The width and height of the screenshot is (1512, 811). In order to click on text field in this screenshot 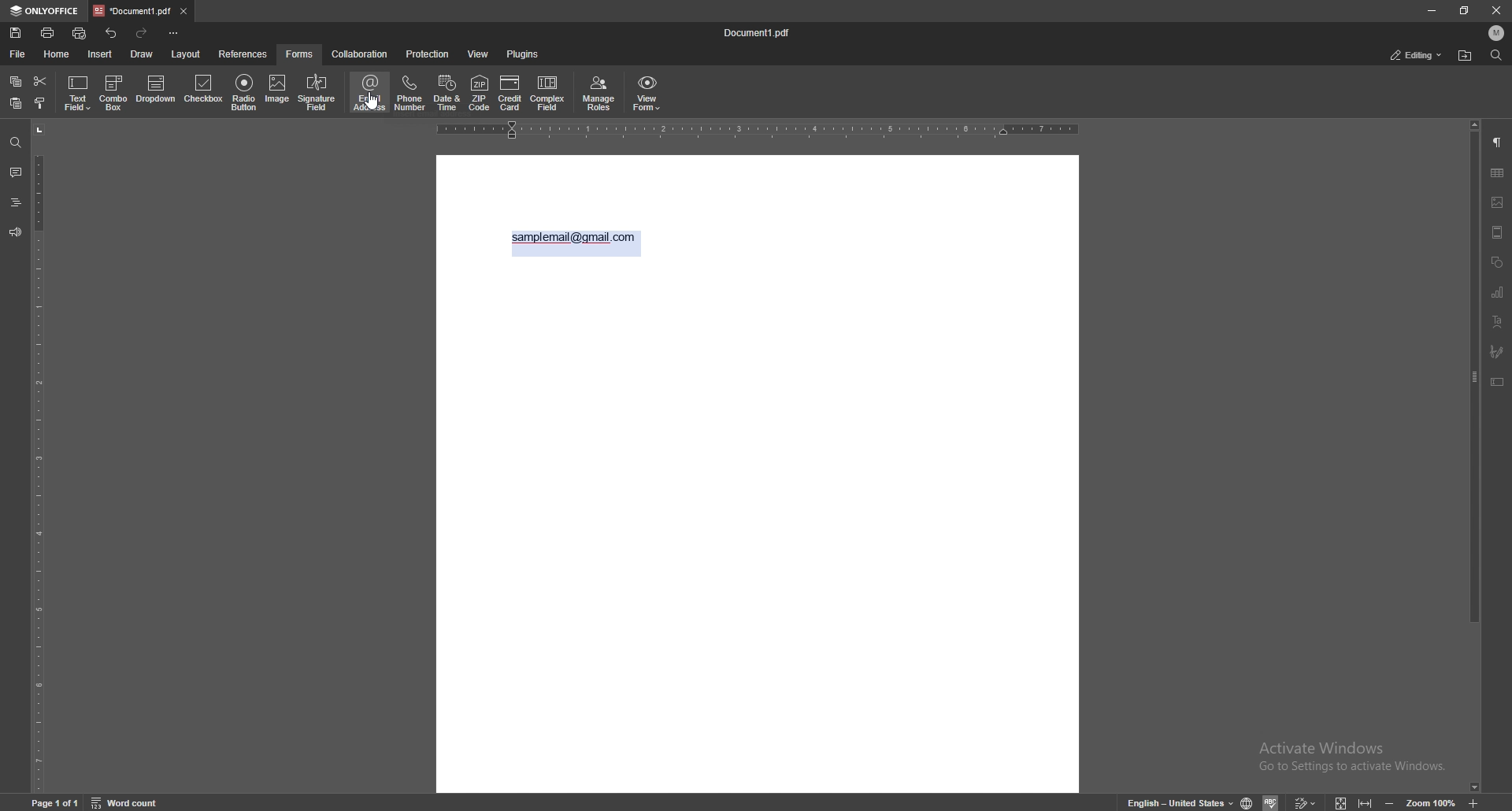, I will do `click(79, 92)`.